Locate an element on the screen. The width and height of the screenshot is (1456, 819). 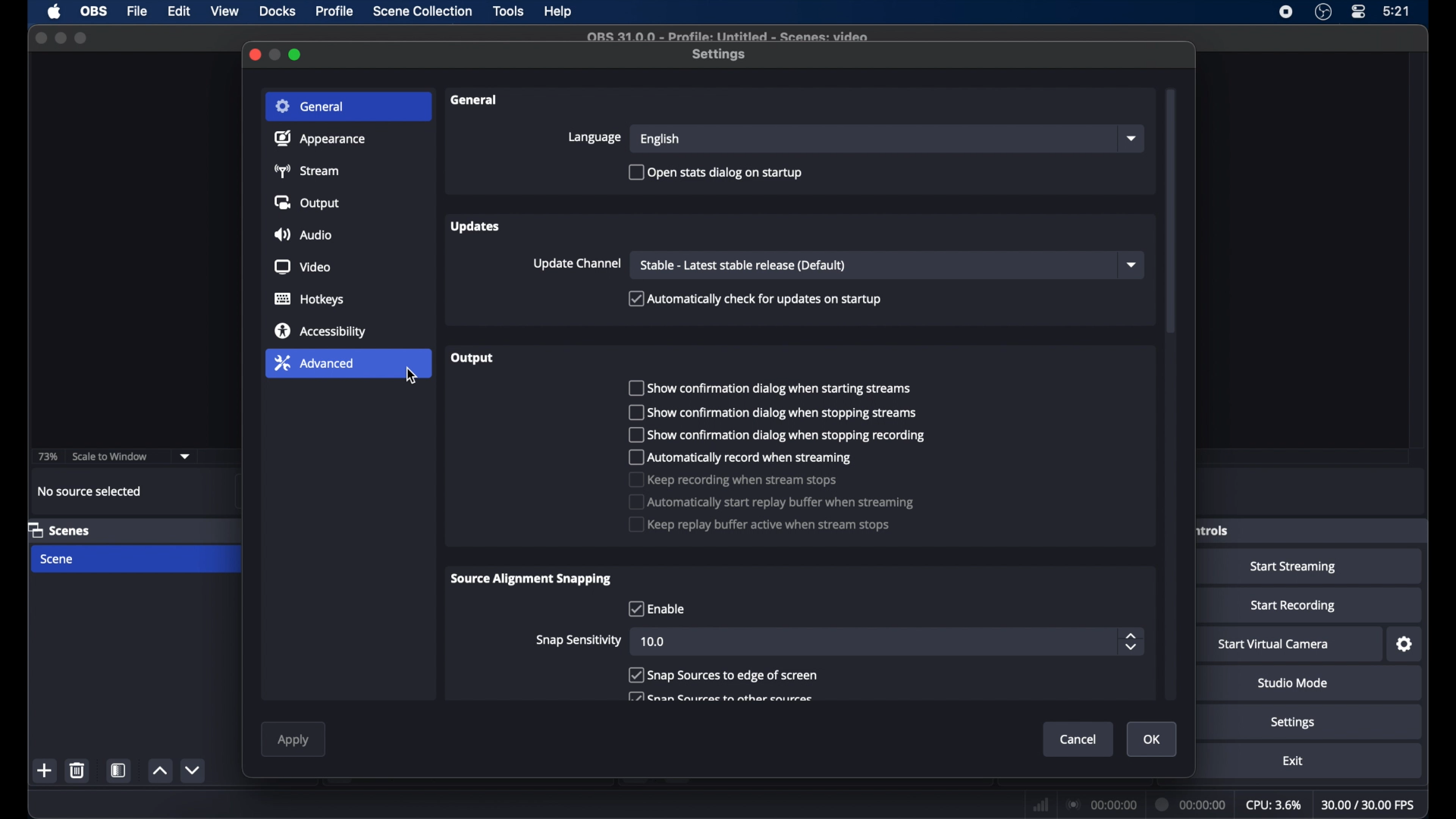
screen recorder is located at coordinates (1287, 11).